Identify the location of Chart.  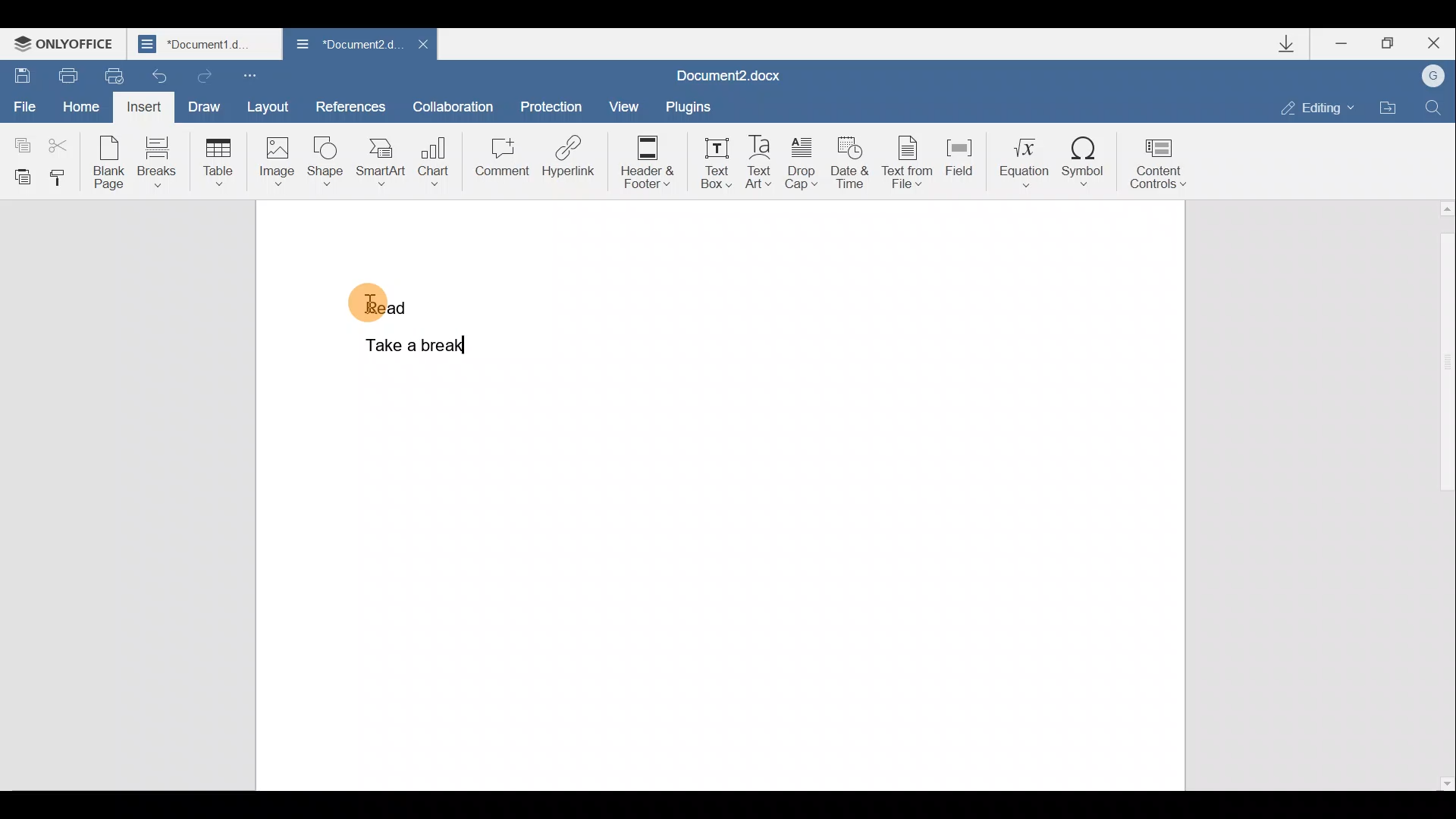
(437, 155).